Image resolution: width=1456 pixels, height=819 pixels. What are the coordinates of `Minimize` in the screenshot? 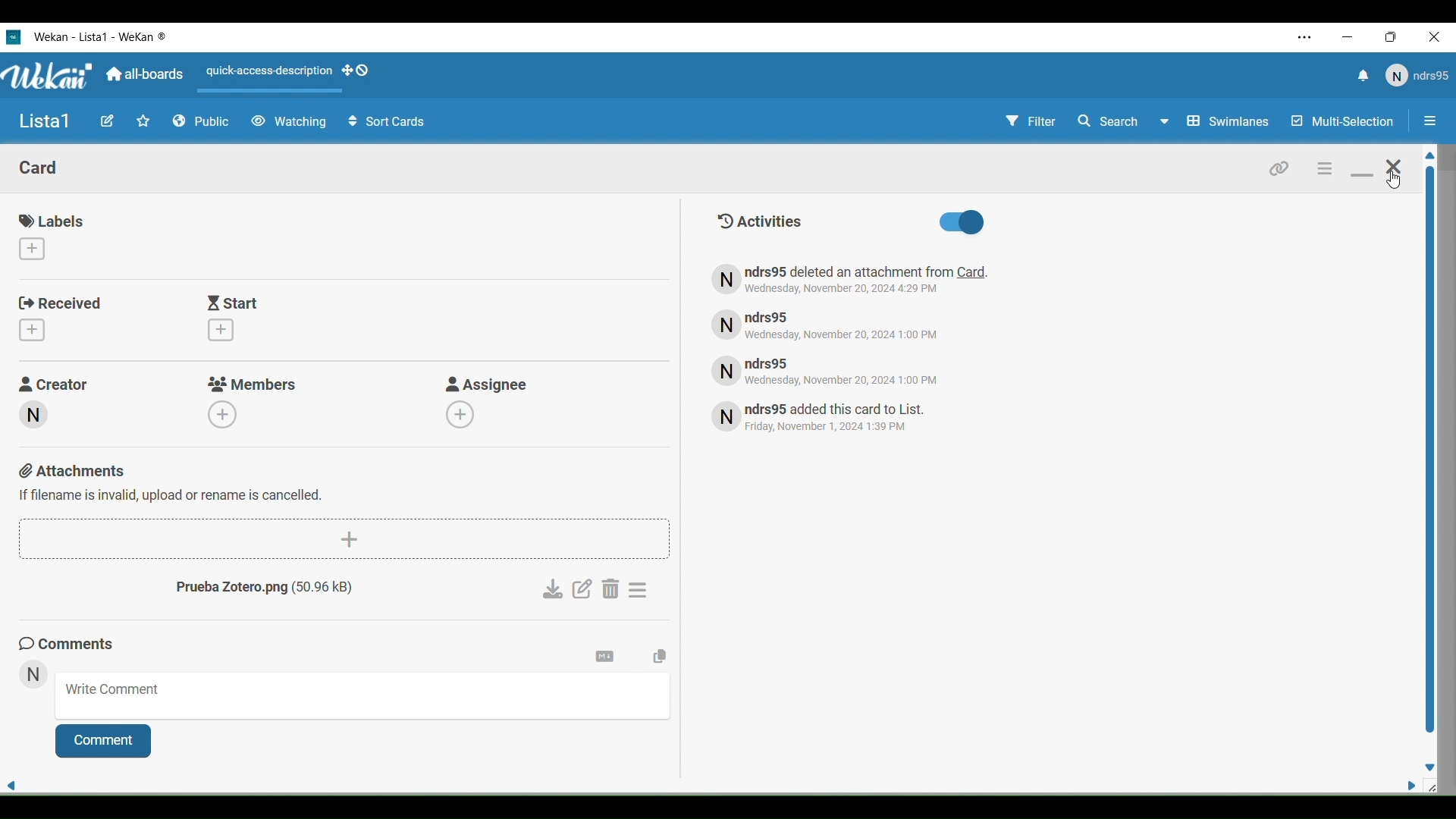 It's located at (1362, 175).